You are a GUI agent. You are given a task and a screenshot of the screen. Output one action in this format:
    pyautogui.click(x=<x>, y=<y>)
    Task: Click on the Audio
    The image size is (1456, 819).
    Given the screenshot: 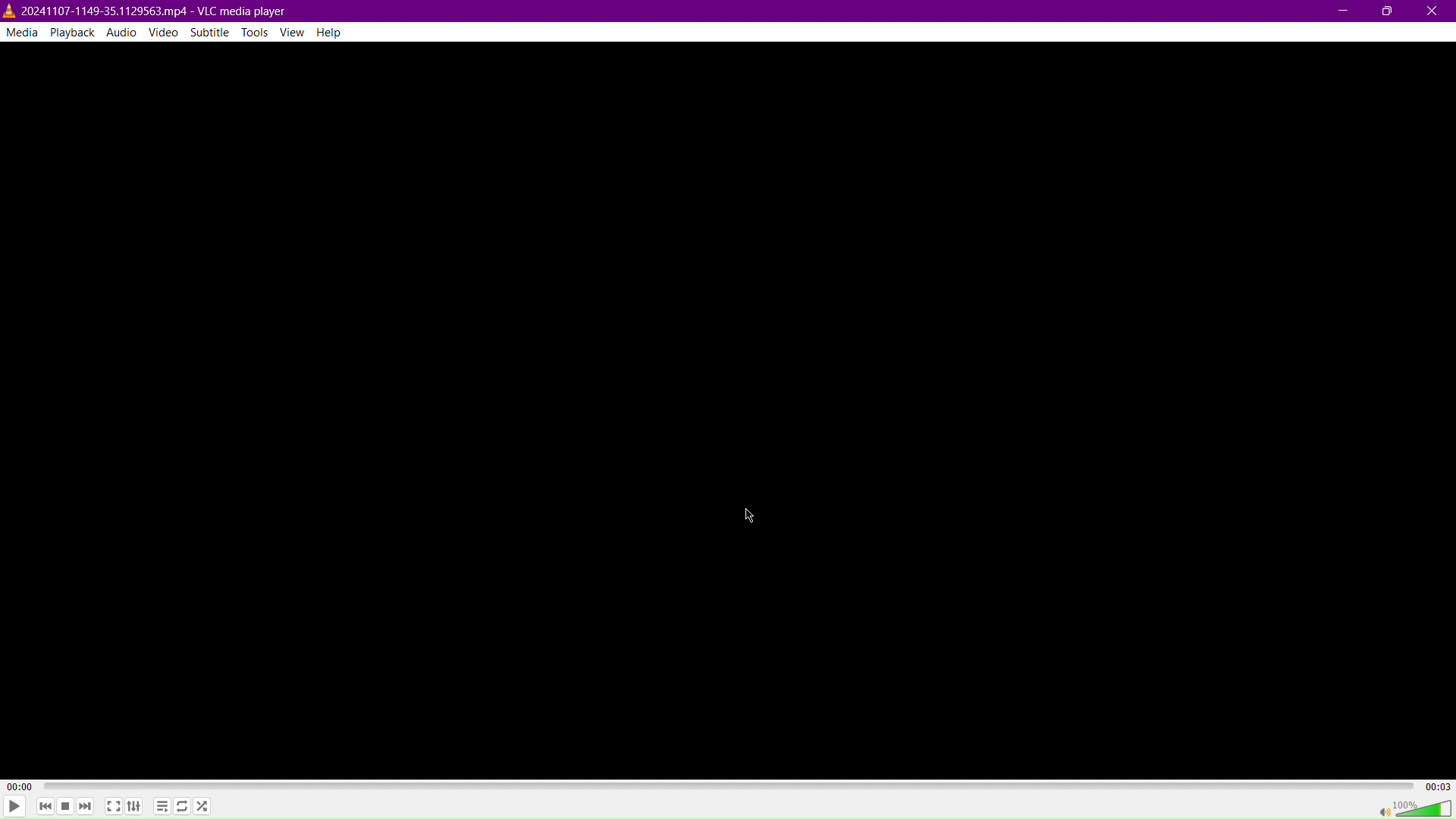 What is the action you would take?
    pyautogui.click(x=121, y=32)
    